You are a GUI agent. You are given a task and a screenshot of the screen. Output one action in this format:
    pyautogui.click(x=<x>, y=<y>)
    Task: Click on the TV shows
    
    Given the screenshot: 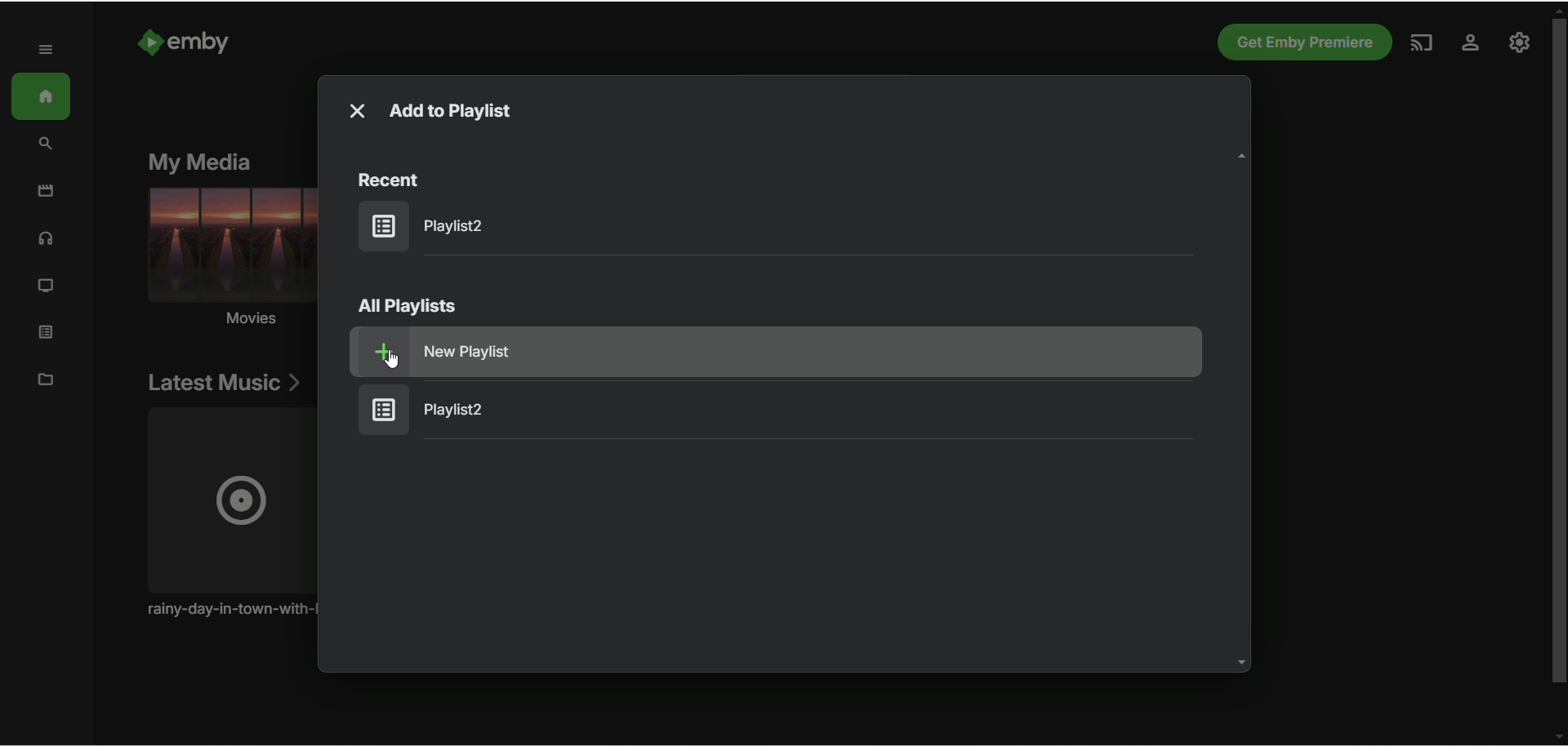 What is the action you would take?
    pyautogui.click(x=47, y=287)
    